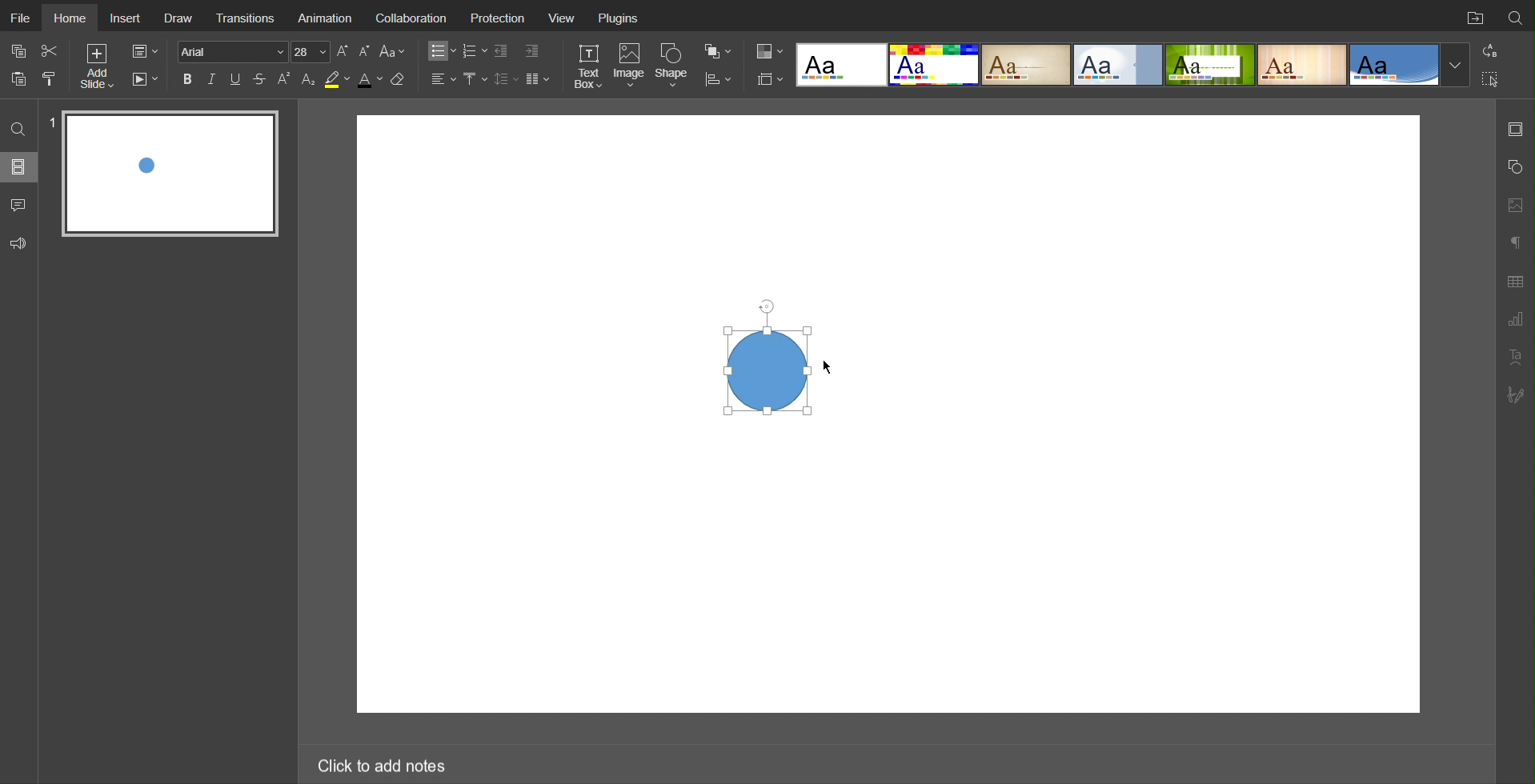 The image size is (1535, 784). Describe the element at coordinates (20, 205) in the screenshot. I see `Comments` at that location.